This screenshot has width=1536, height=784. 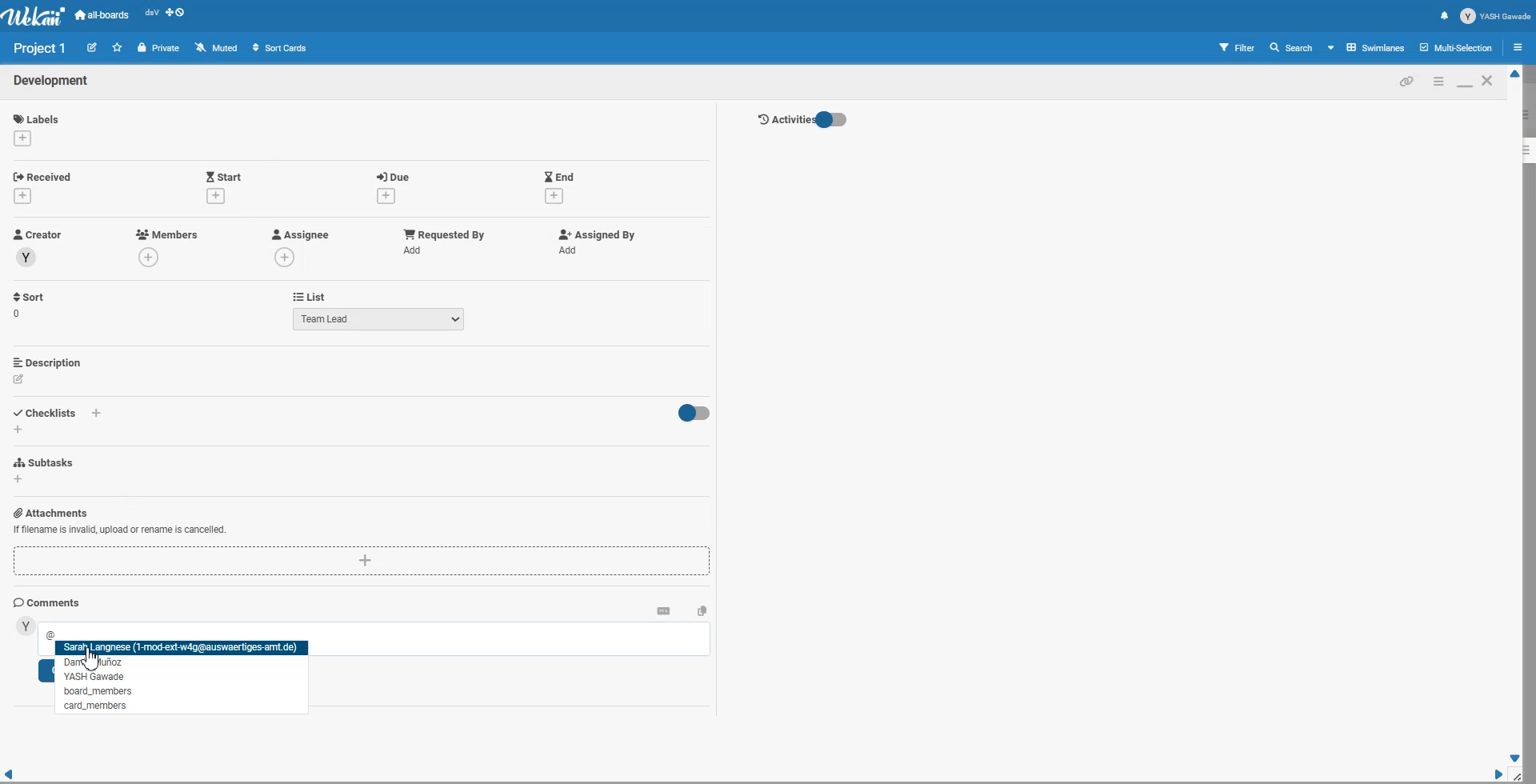 I want to click on Add Received, so click(x=46, y=175).